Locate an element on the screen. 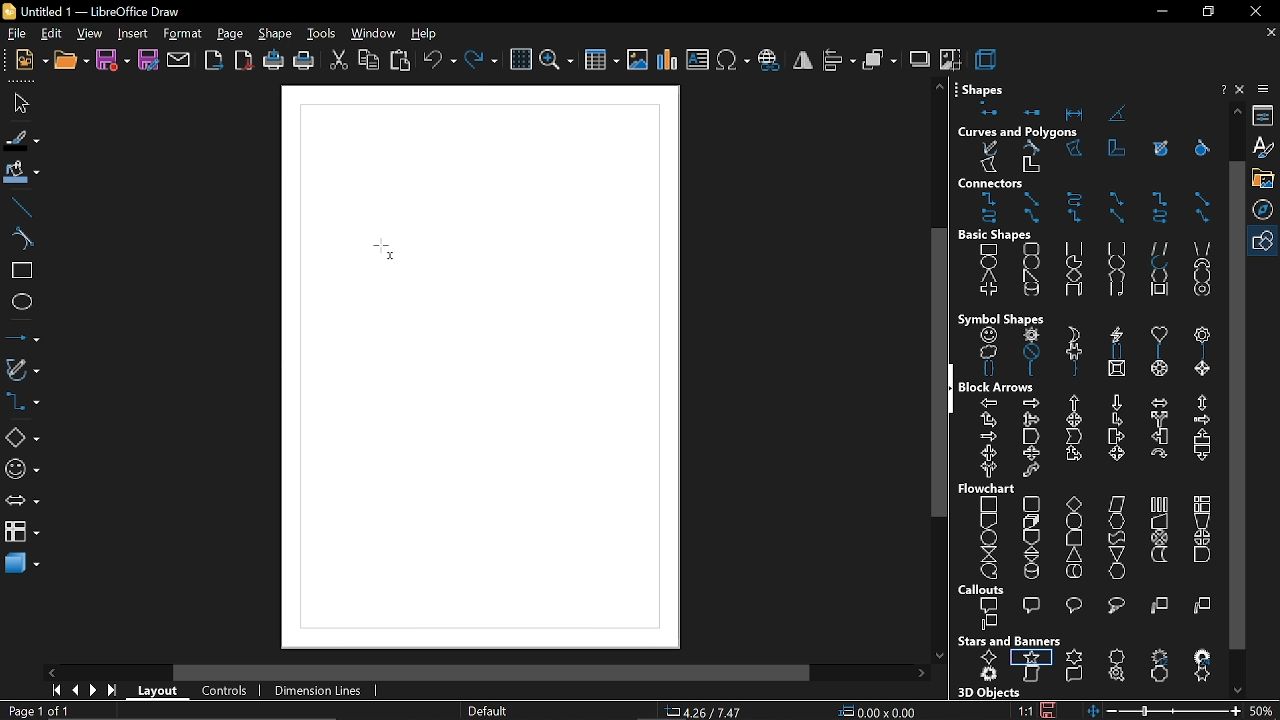 This screenshot has height=720, width=1280. fill color is located at coordinates (22, 173).